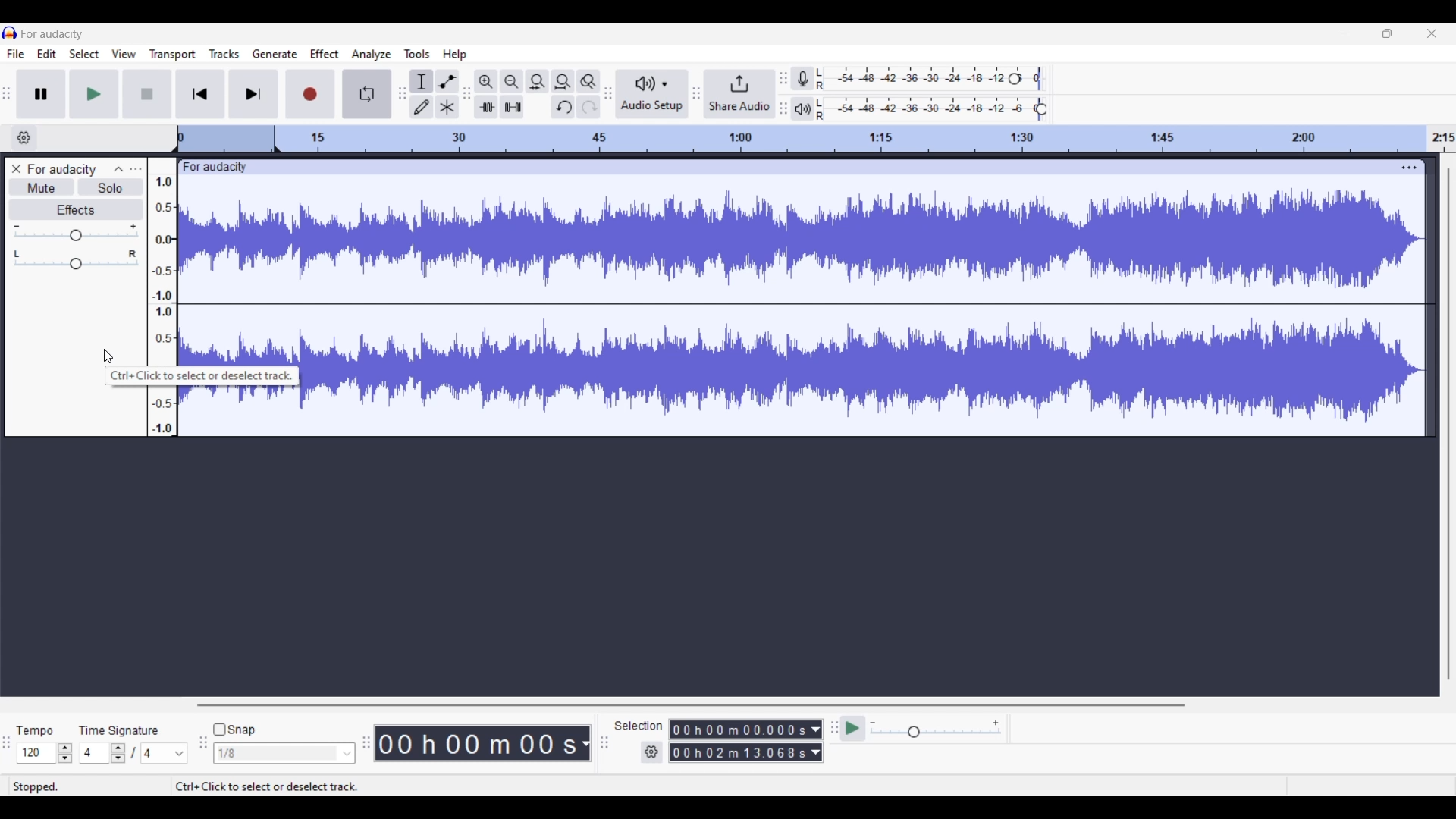 This screenshot has width=1456, height=819. I want to click on Tempo, so click(36, 729).